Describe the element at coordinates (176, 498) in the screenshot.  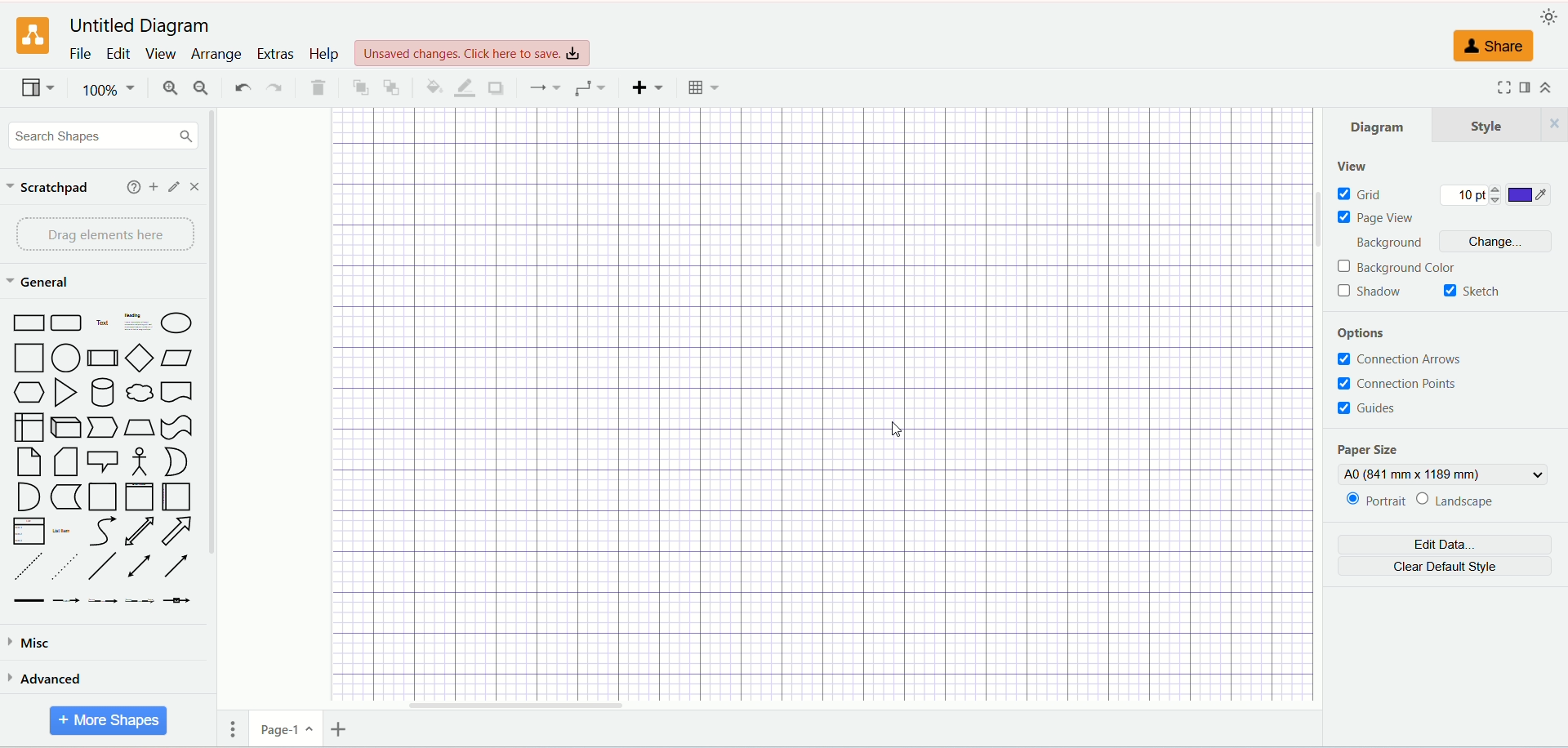
I see `Horizontal Container` at that location.